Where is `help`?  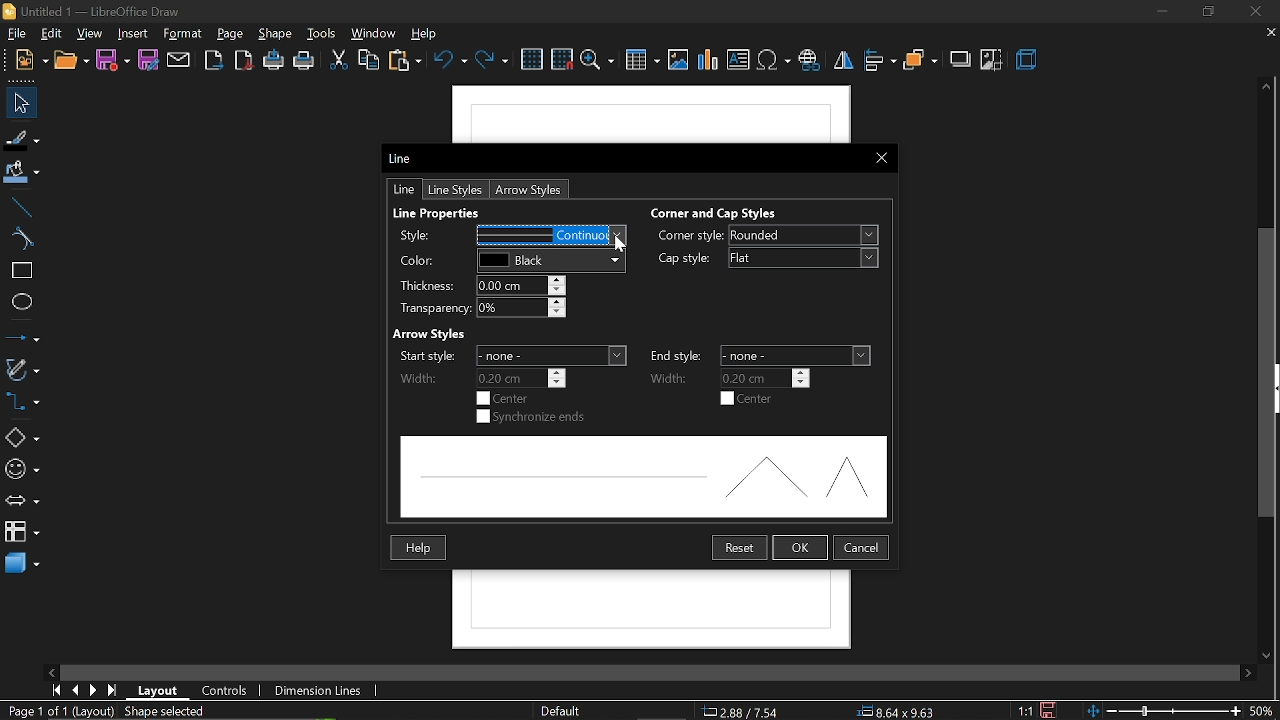 help is located at coordinates (424, 32).